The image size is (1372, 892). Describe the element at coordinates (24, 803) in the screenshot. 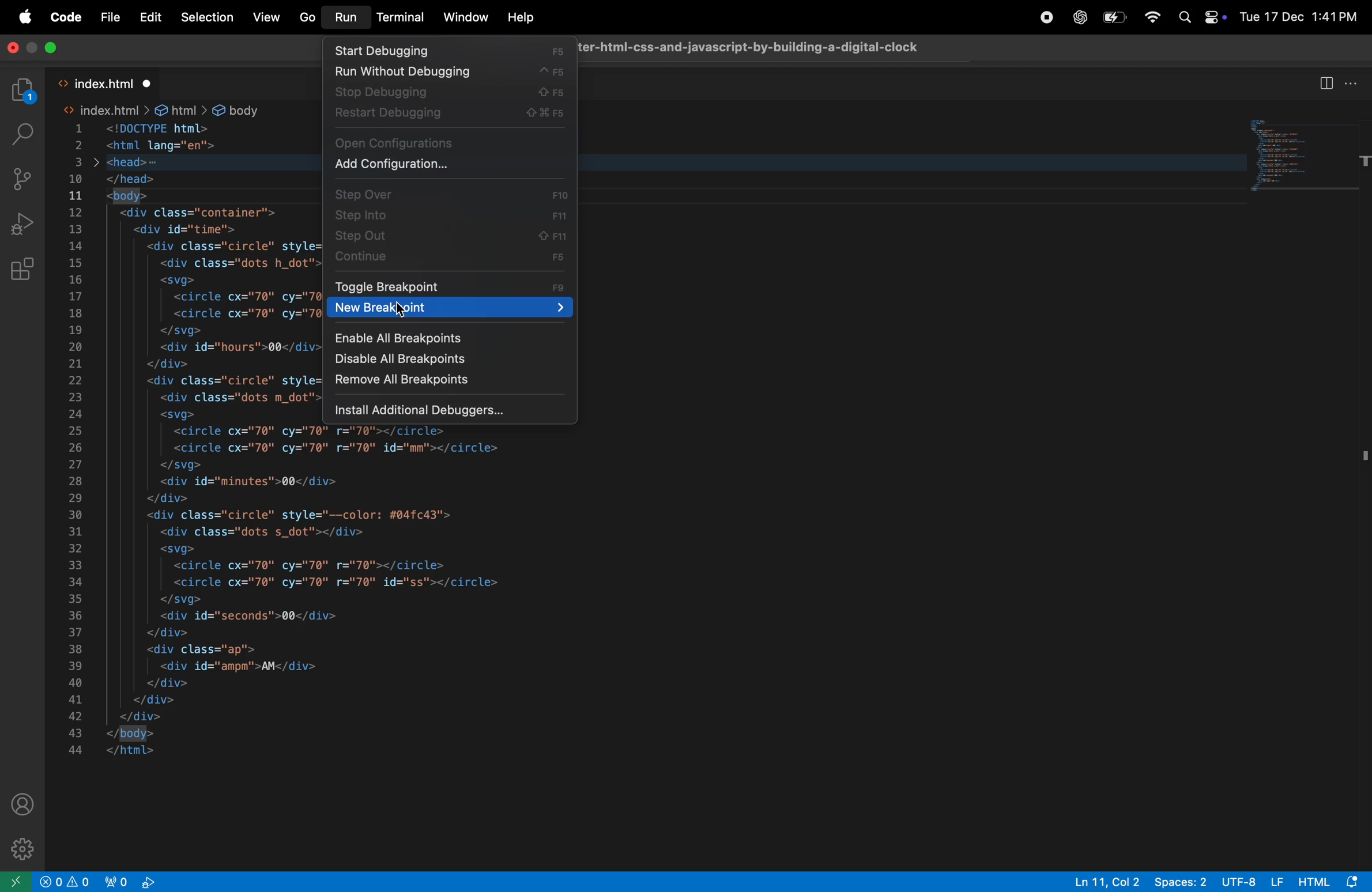

I see `profile` at that location.